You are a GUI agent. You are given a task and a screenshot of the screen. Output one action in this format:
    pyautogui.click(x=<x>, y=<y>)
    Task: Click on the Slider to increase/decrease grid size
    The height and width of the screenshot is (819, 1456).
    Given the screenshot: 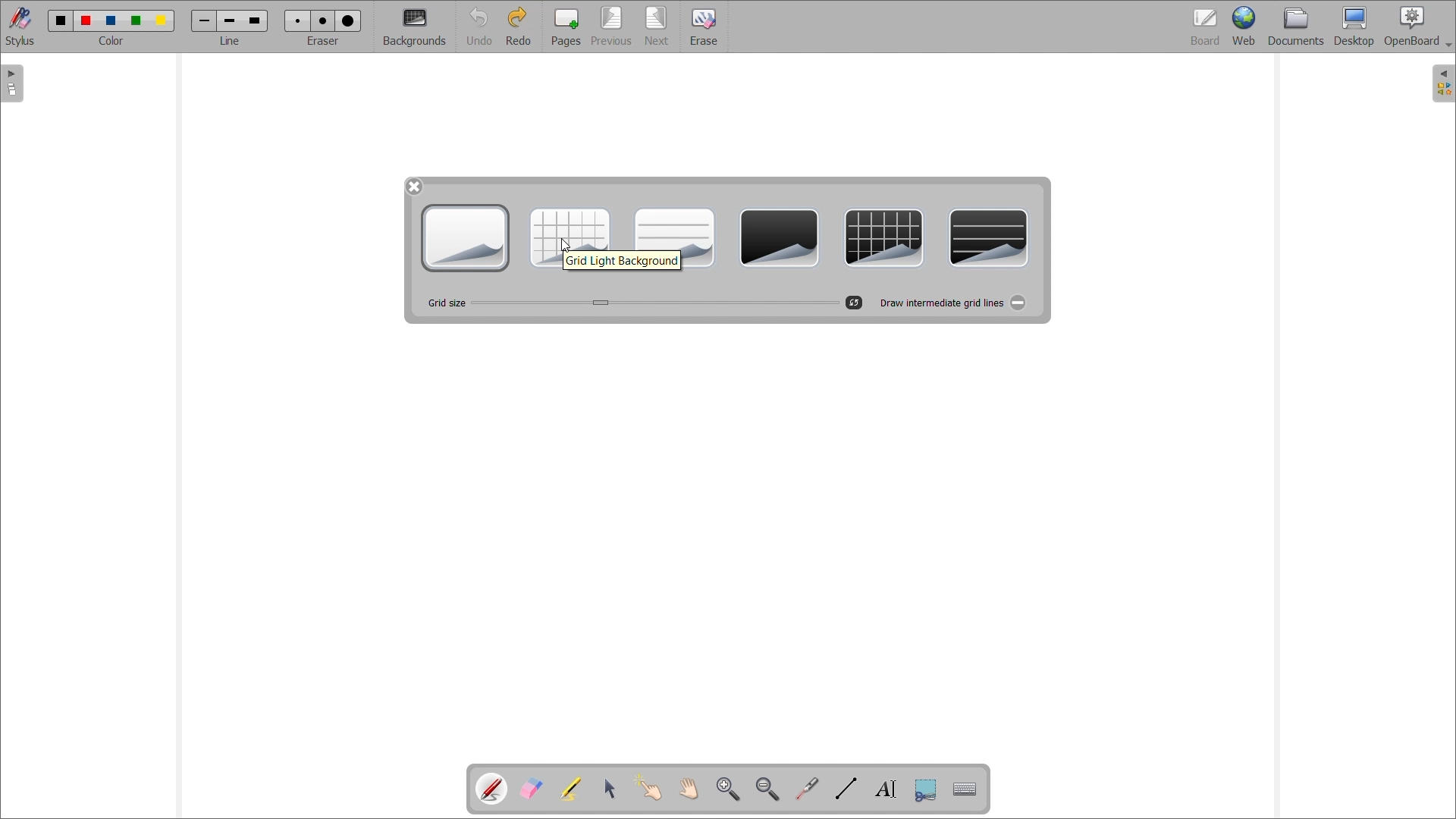 What is the action you would take?
    pyautogui.click(x=654, y=303)
    